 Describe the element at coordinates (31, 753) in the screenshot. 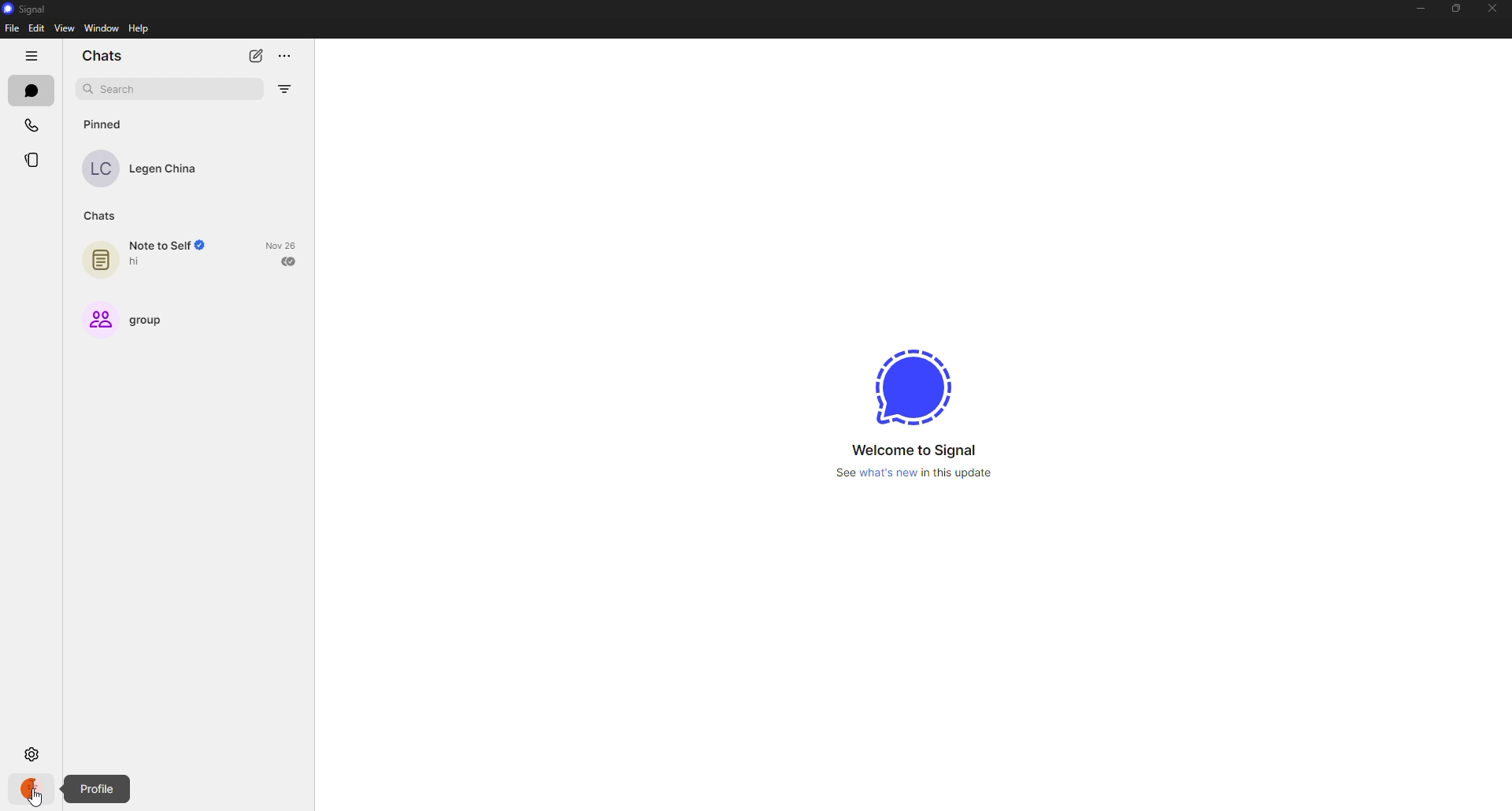

I see `settings` at that location.